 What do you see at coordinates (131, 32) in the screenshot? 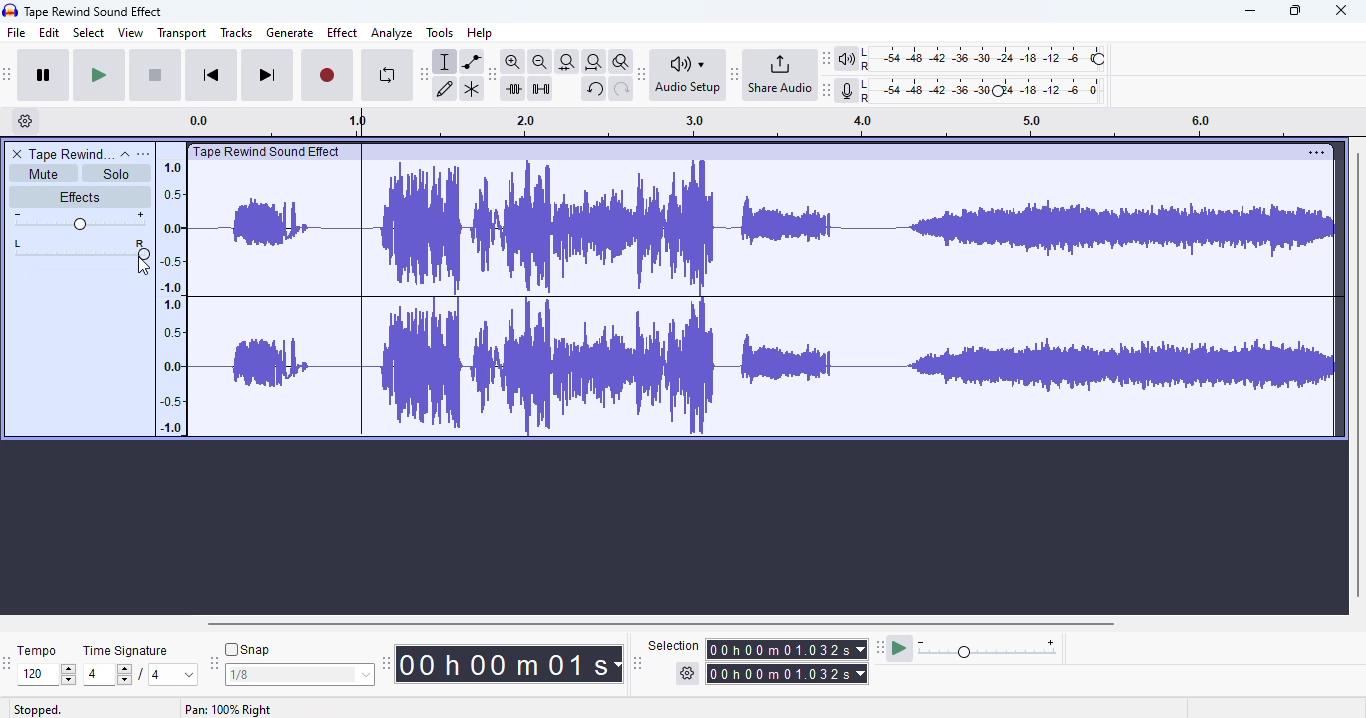
I see `view` at bounding box center [131, 32].